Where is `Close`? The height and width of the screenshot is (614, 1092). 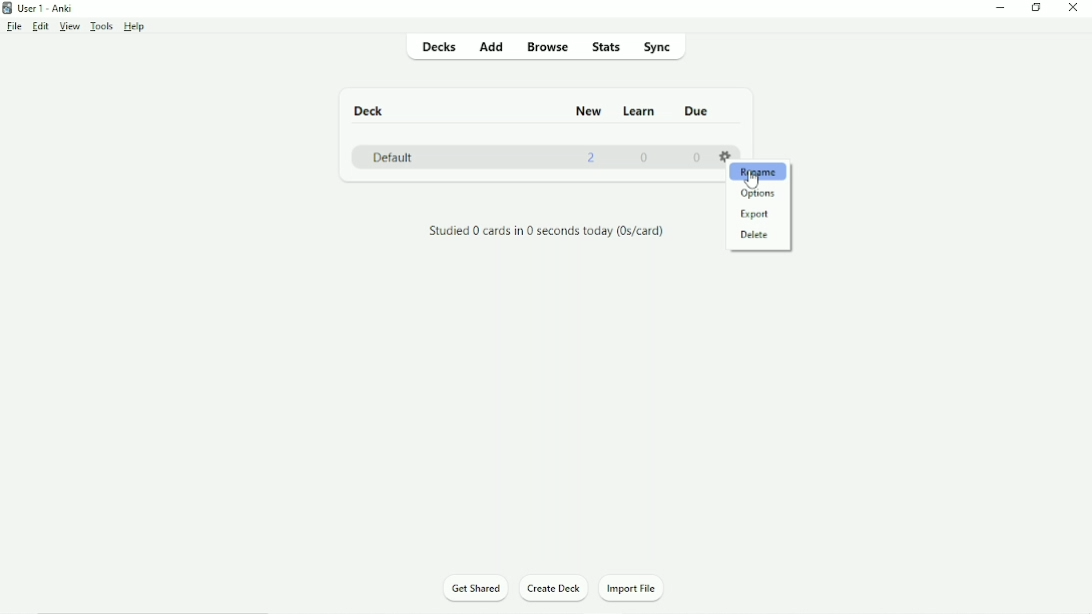 Close is located at coordinates (1075, 8).